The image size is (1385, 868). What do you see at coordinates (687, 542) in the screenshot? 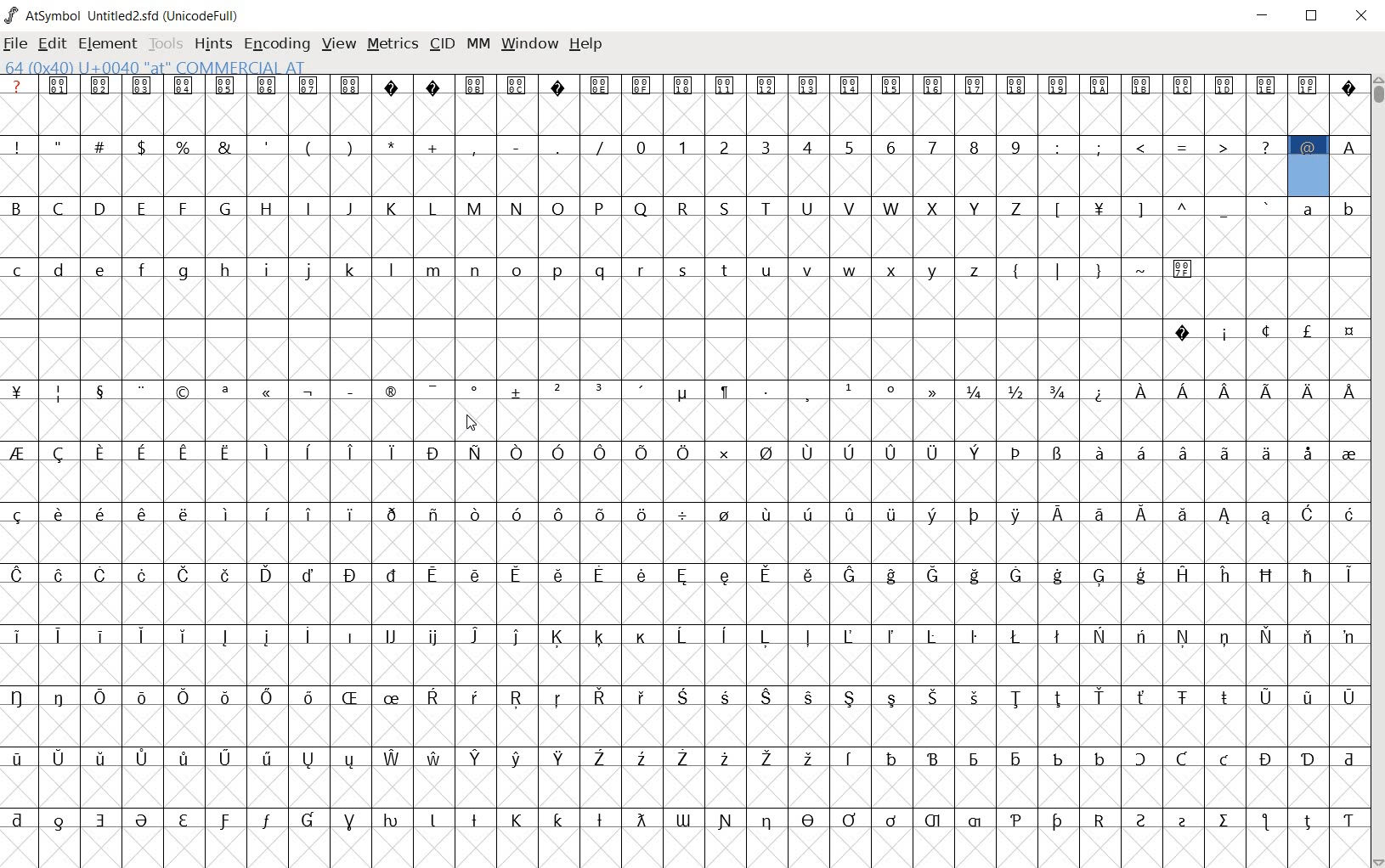
I see `empty glyph slots` at bounding box center [687, 542].